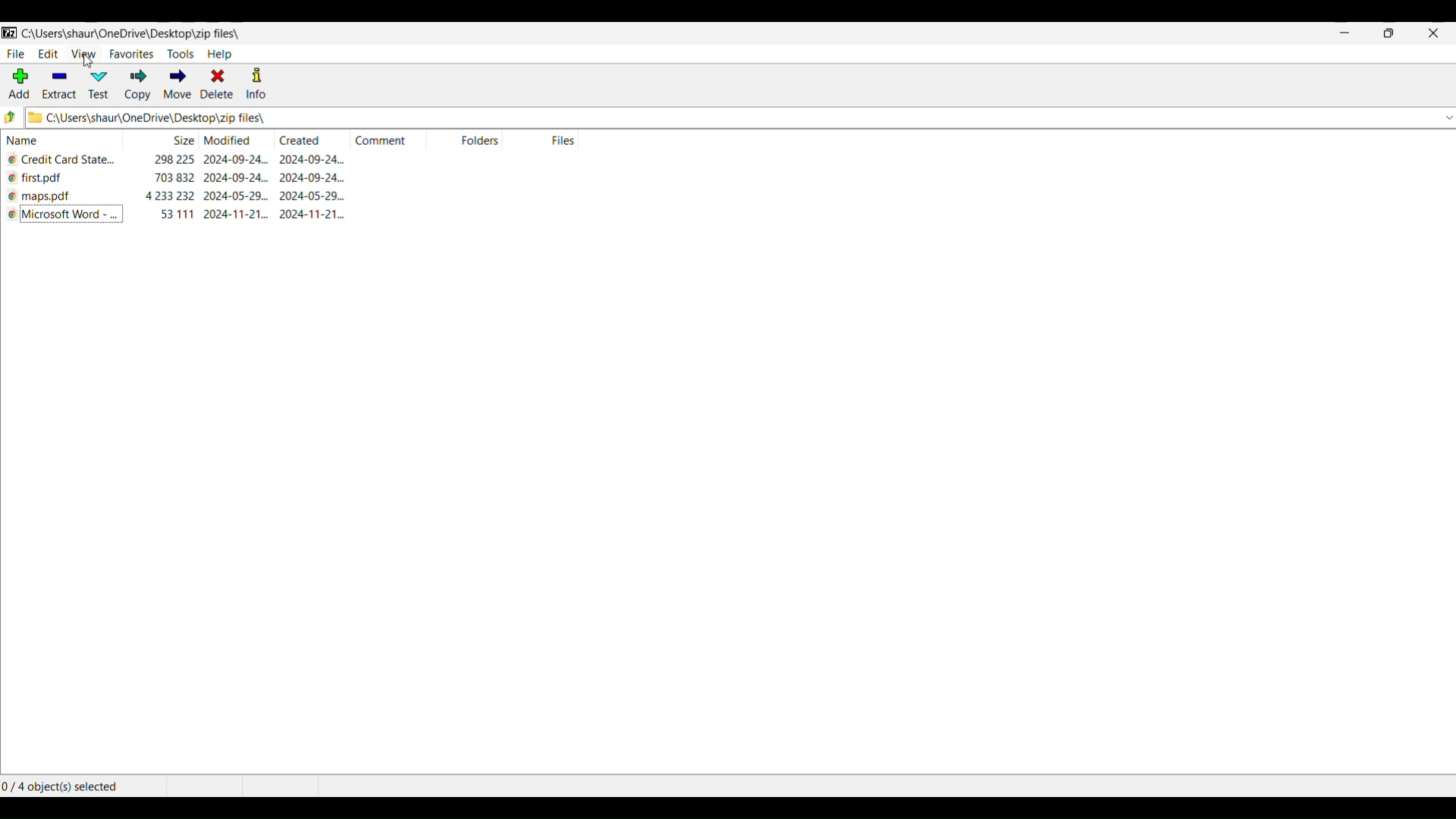 The image size is (1456, 819). I want to click on move, so click(174, 86).